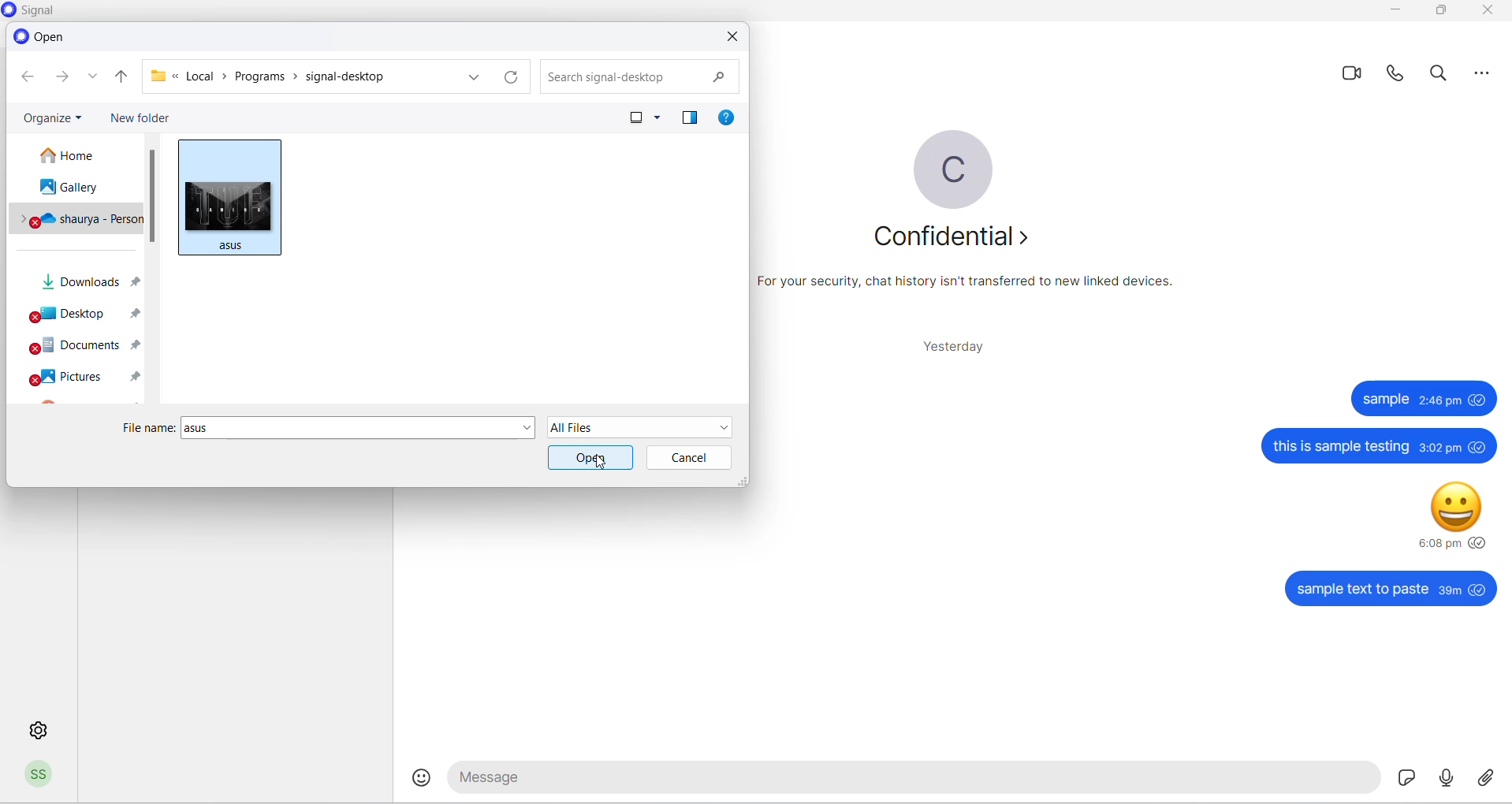 The height and width of the screenshot is (804, 1512). I want to click on path , so click(296, 76).